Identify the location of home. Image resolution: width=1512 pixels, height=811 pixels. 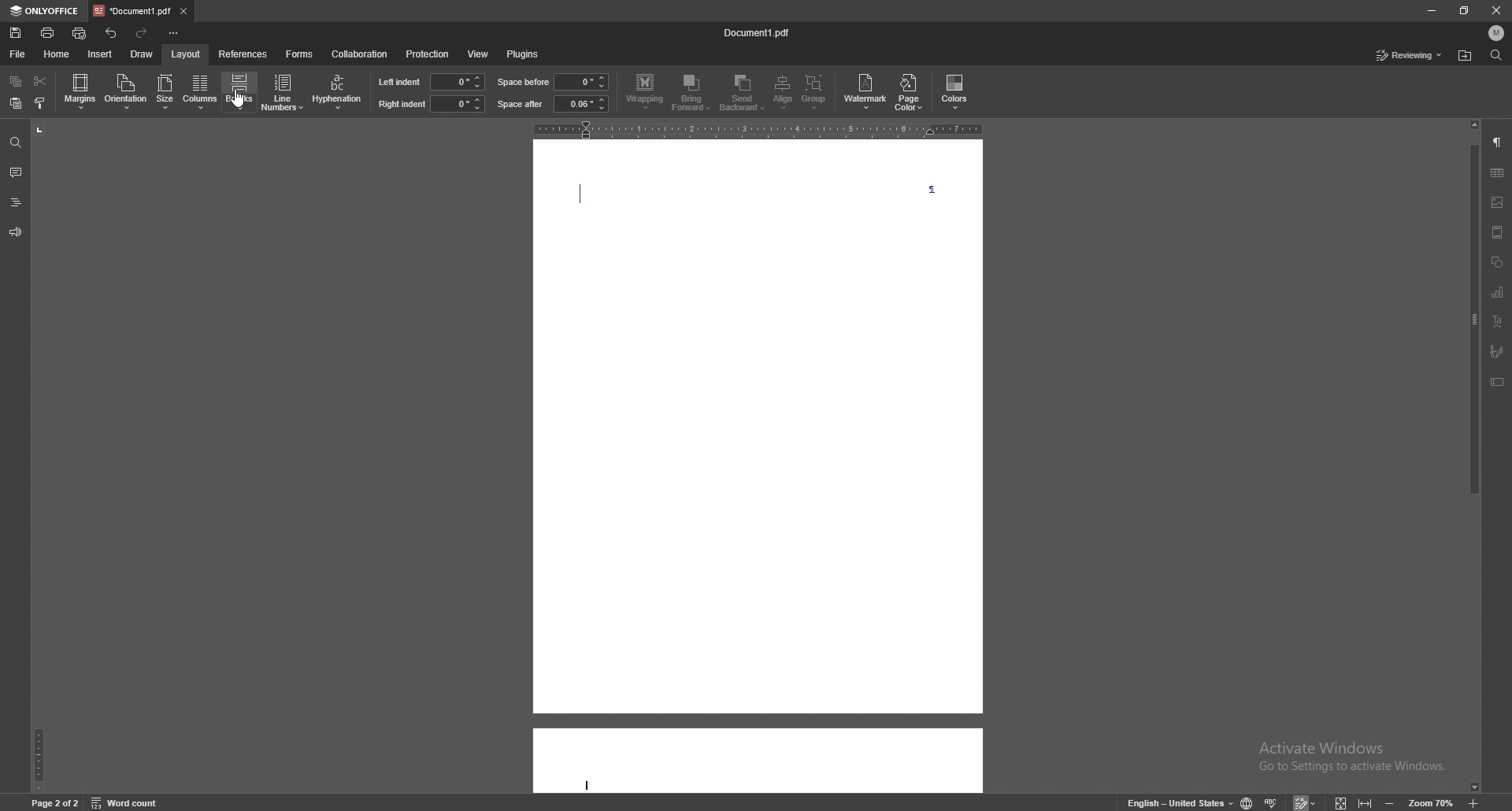
(58, 54).